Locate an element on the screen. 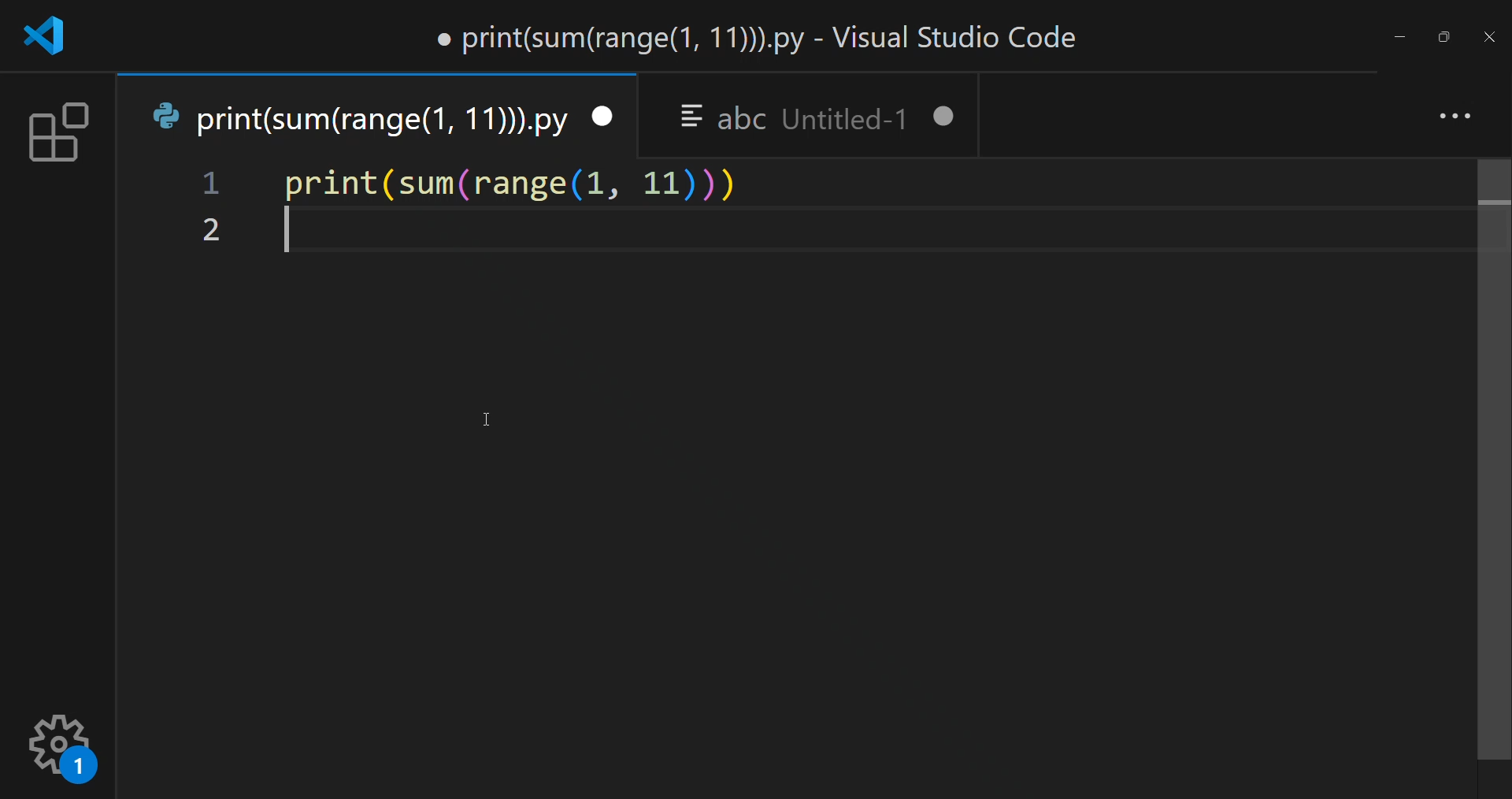  close tab is located at coordinates (602, 113).